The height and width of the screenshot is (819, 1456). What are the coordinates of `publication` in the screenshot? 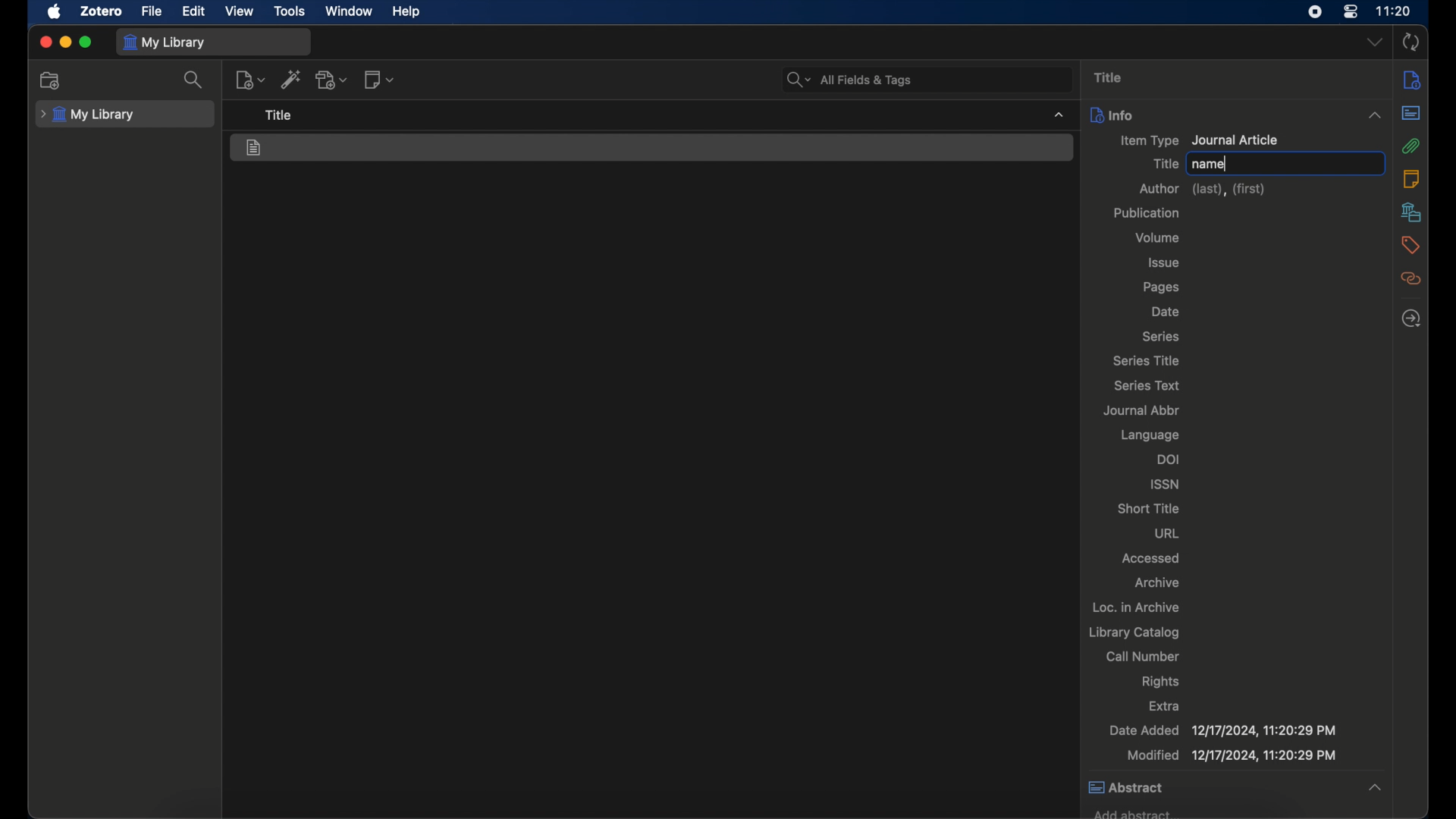 It's located at (1147, 212).